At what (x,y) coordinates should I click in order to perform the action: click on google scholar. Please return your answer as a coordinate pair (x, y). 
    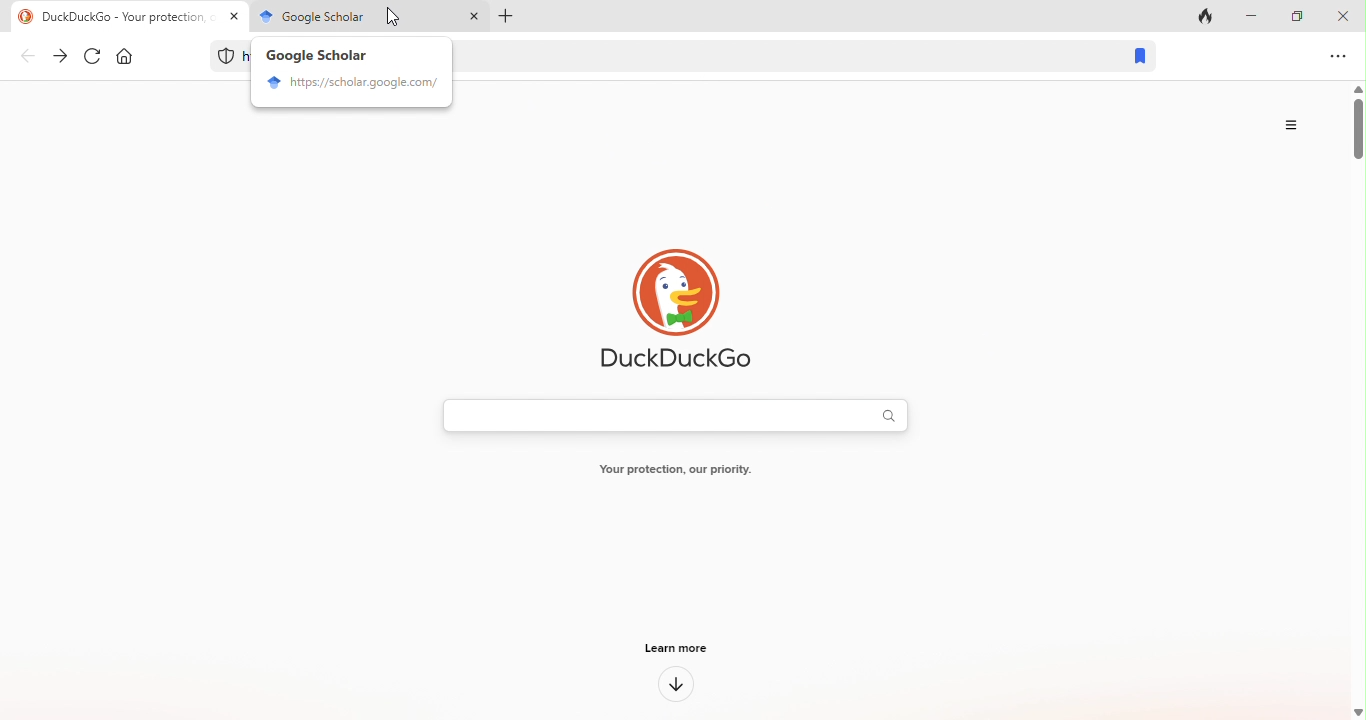
    Looking at the image, I should click on (351, 85).